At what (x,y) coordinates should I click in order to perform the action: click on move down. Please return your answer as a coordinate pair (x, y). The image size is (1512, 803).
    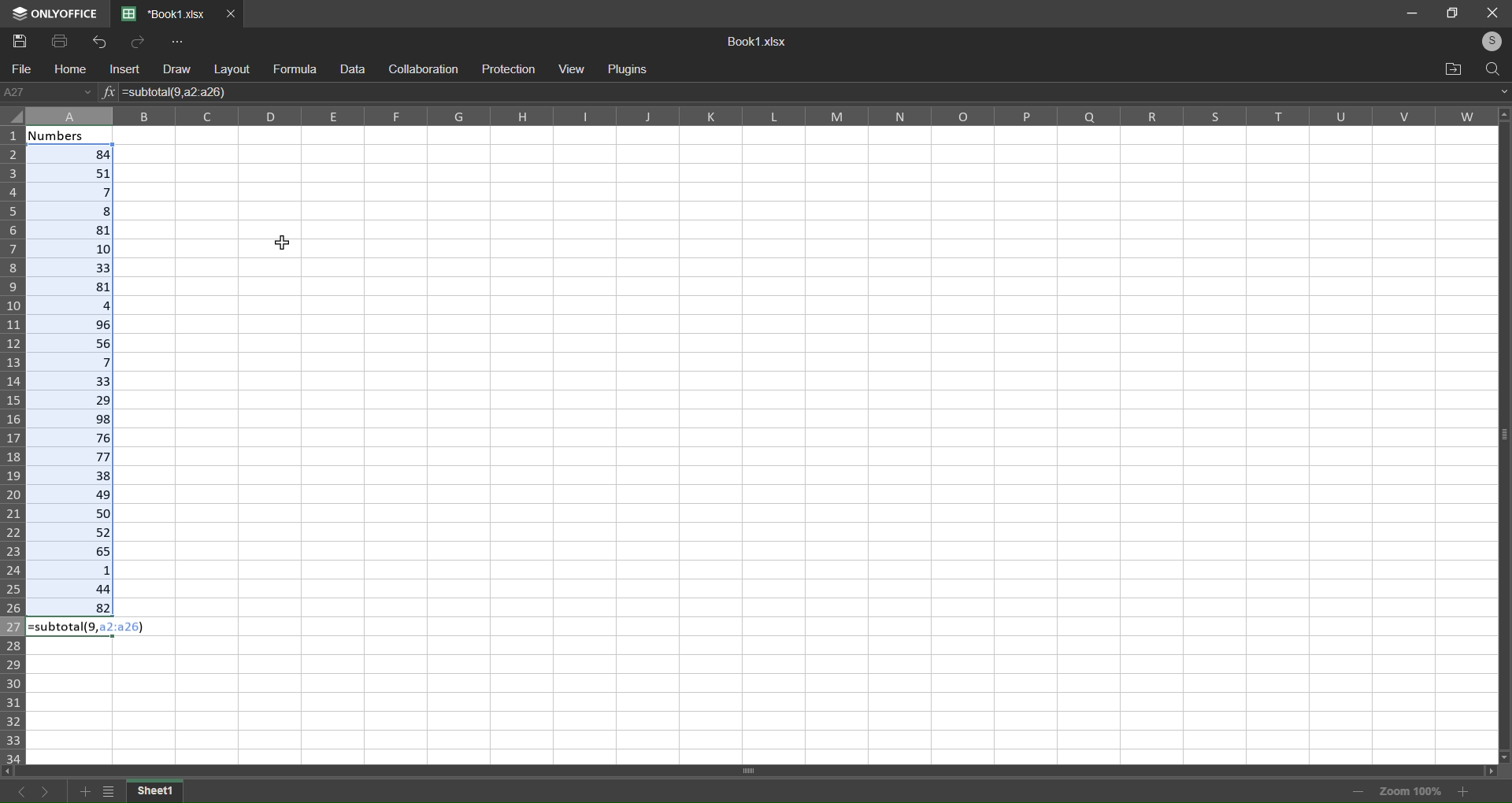
    Looking at the image, I should click on (1502, 755).